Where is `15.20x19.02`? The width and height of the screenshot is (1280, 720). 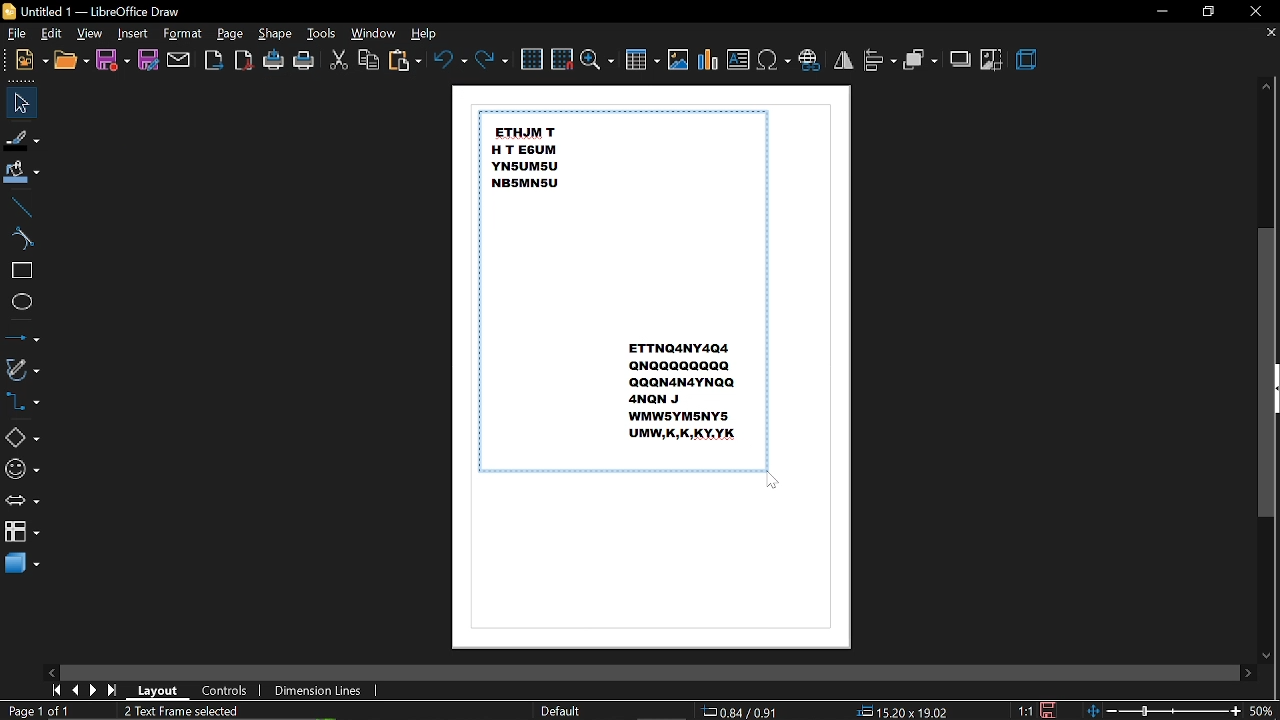
15.20x19.02 is located at coordinates (906, 712).